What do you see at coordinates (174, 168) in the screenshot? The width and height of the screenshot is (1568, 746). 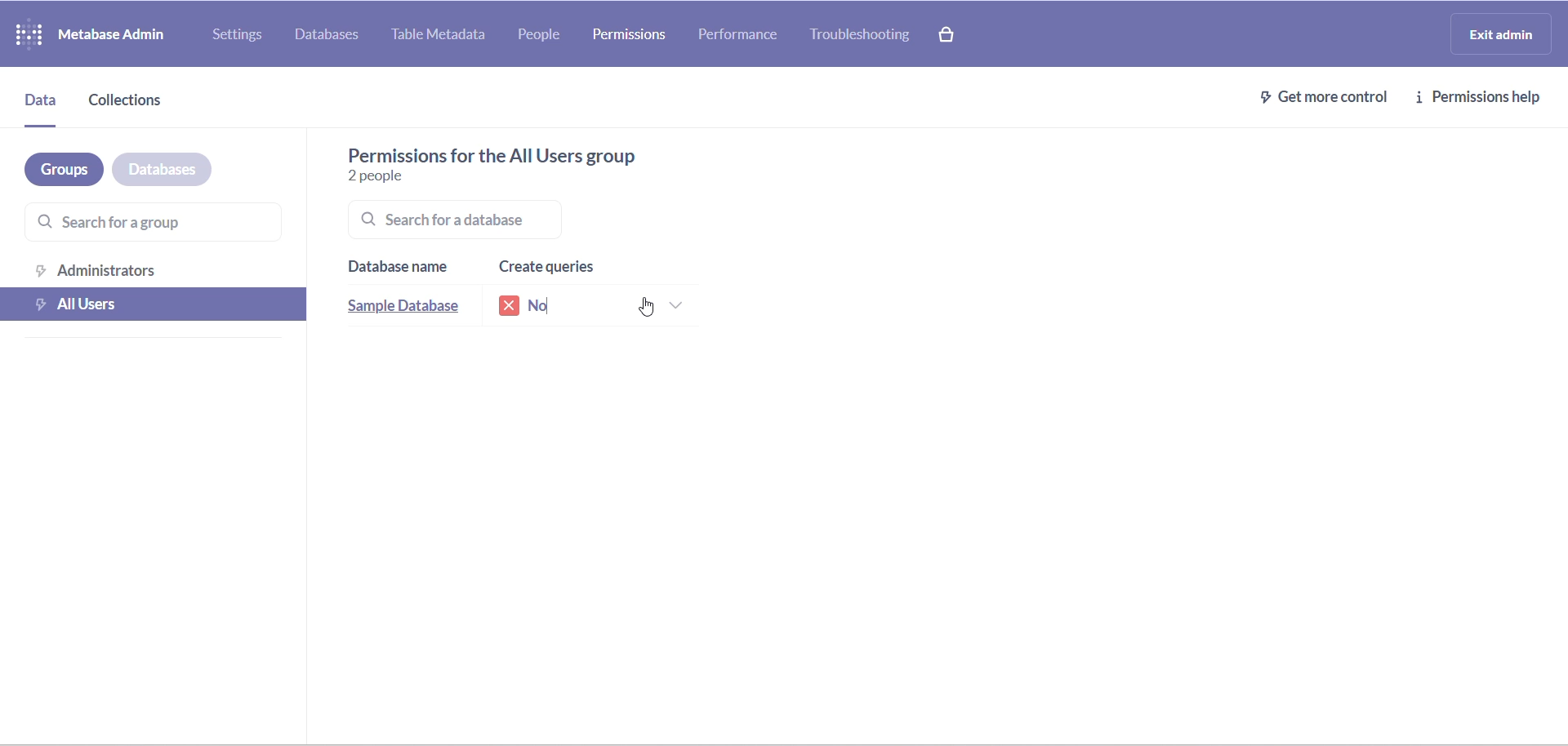 I see `databases` at bounding box center [174, 168].